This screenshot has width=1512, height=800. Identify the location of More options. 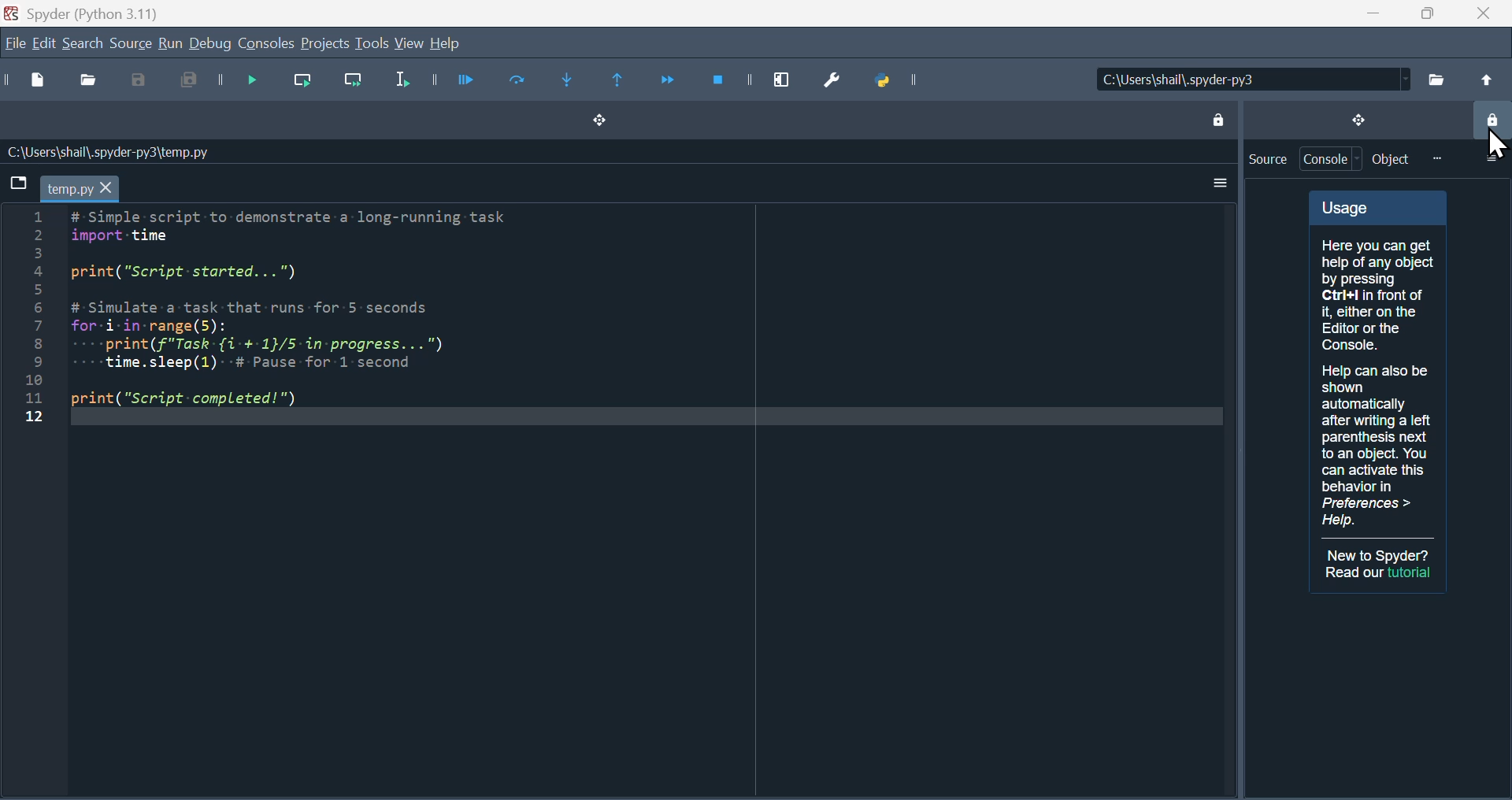
(1216, 183).